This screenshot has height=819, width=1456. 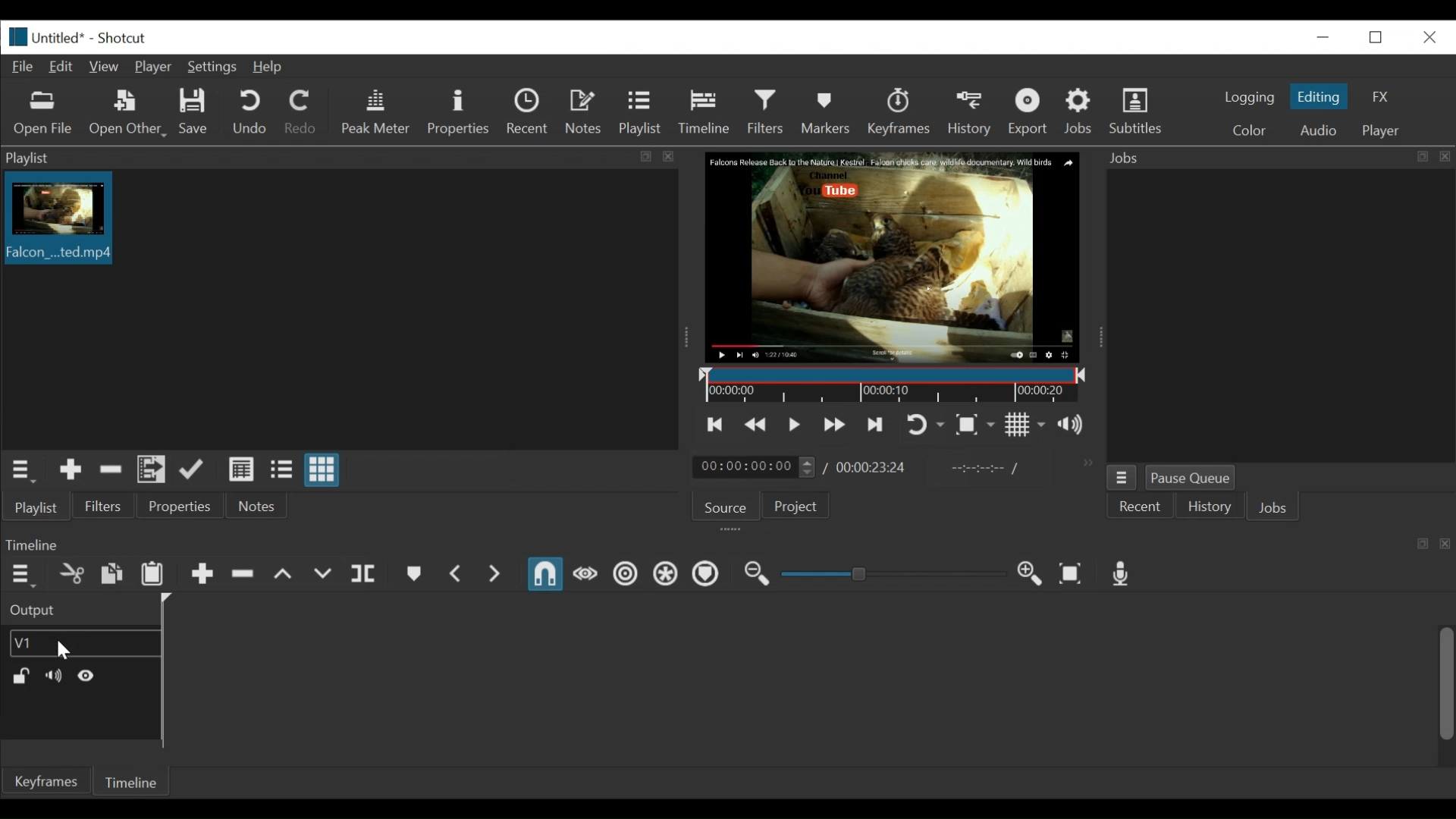 What do you see at coordinates (985, 470) in the screenshot?
I see `In point` at bounding box center [985, 470].